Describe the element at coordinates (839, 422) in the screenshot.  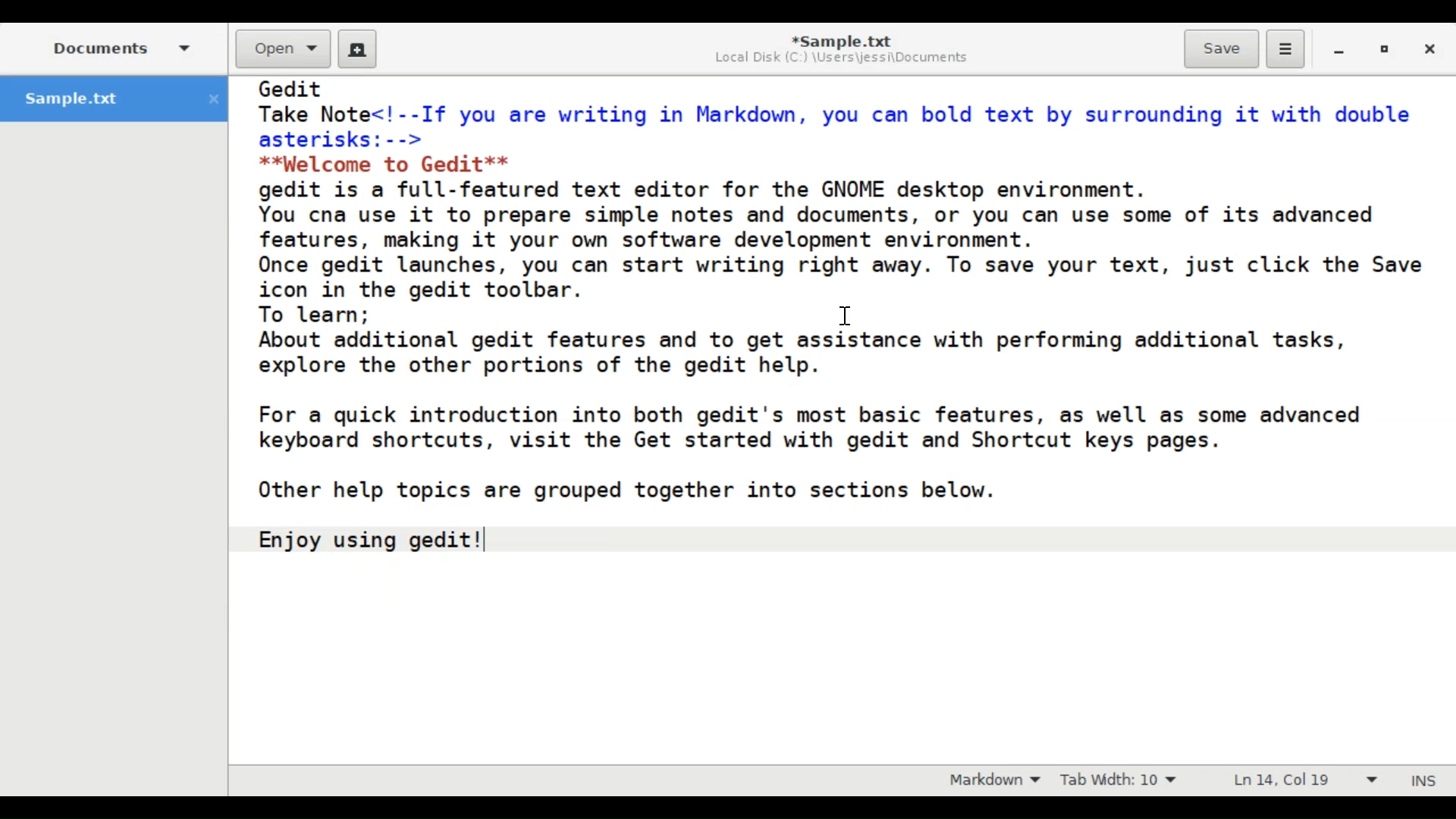
I see `Gedit  Take Note<!--If you are writing in Markdown, you can bold text by surrounding it with double asterisks:--> **Welcome to Gedit**  gedit is a full-featured text editor for the GNOME desktop environment.  You can use it to prepare simple notes and documents, or you can use some of its advanced features, making it your own software development environment` at that location.